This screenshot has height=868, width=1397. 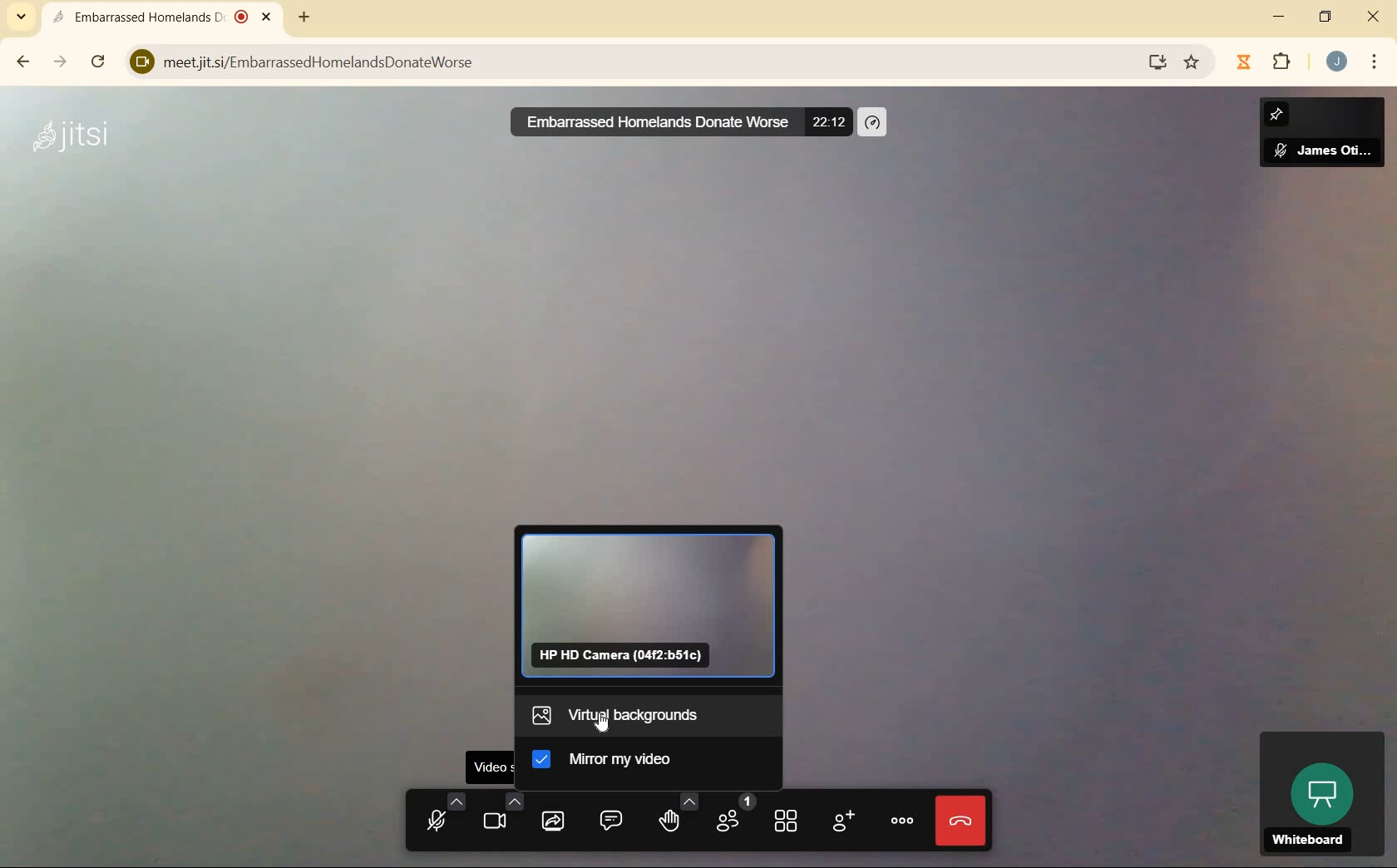 I want to click on virtual backgrounds, so click(x=638, y=713).